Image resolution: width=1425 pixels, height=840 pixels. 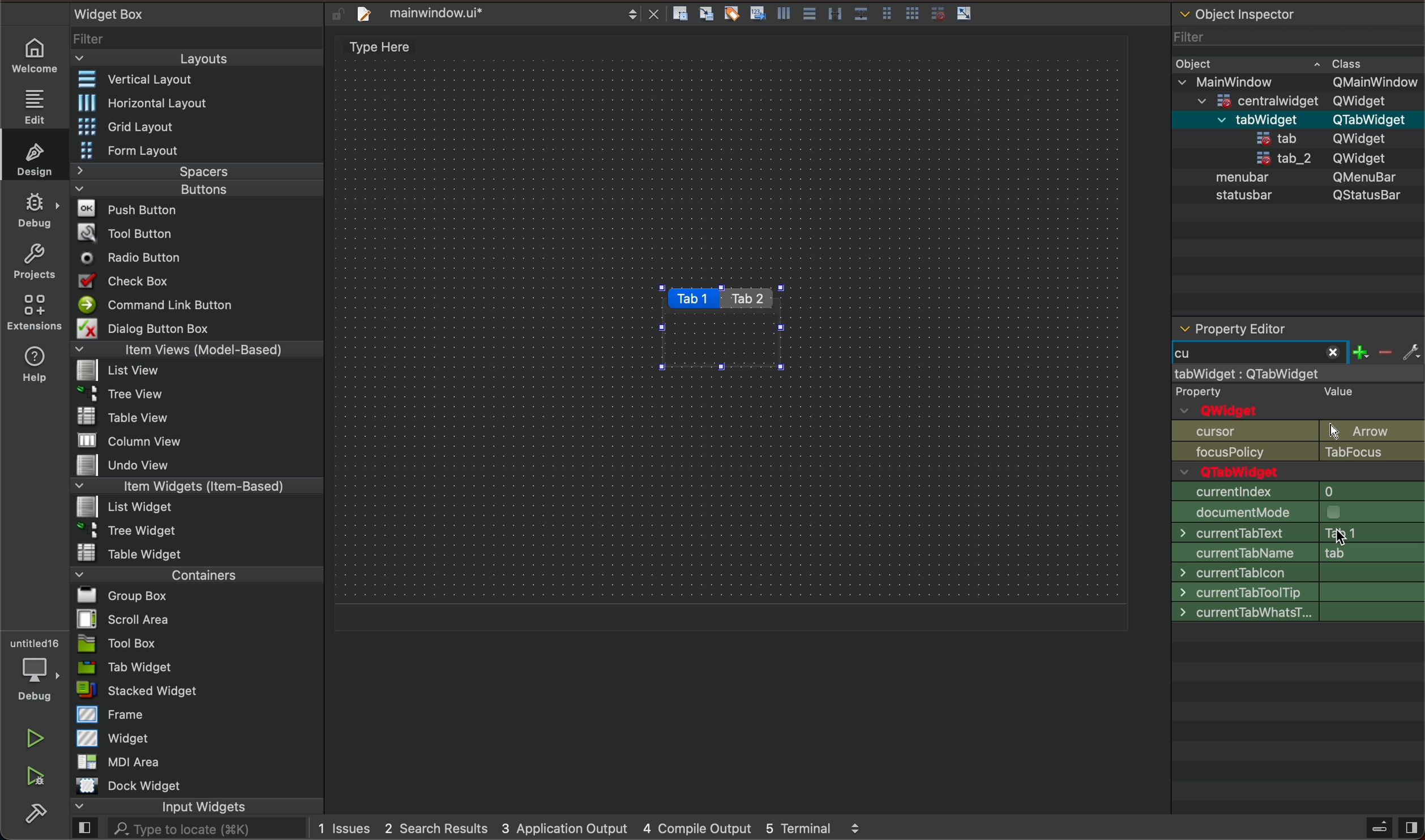 What do you see at coordinates (1194, 61) in the screenshot?
I see `Obiect` at bounding box center [1194, 61].